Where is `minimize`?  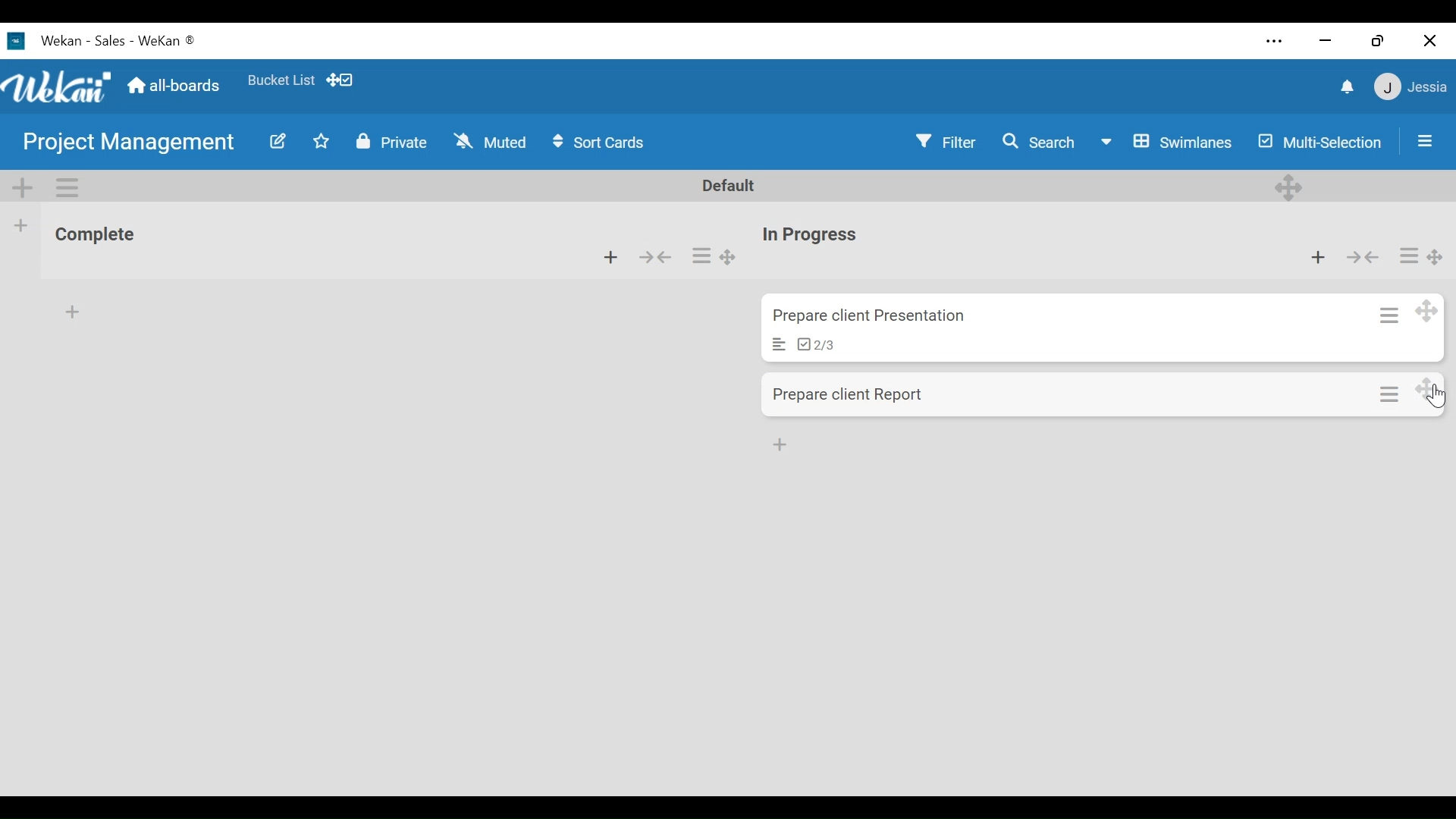
minimize is located at coordinates (1323, 40).